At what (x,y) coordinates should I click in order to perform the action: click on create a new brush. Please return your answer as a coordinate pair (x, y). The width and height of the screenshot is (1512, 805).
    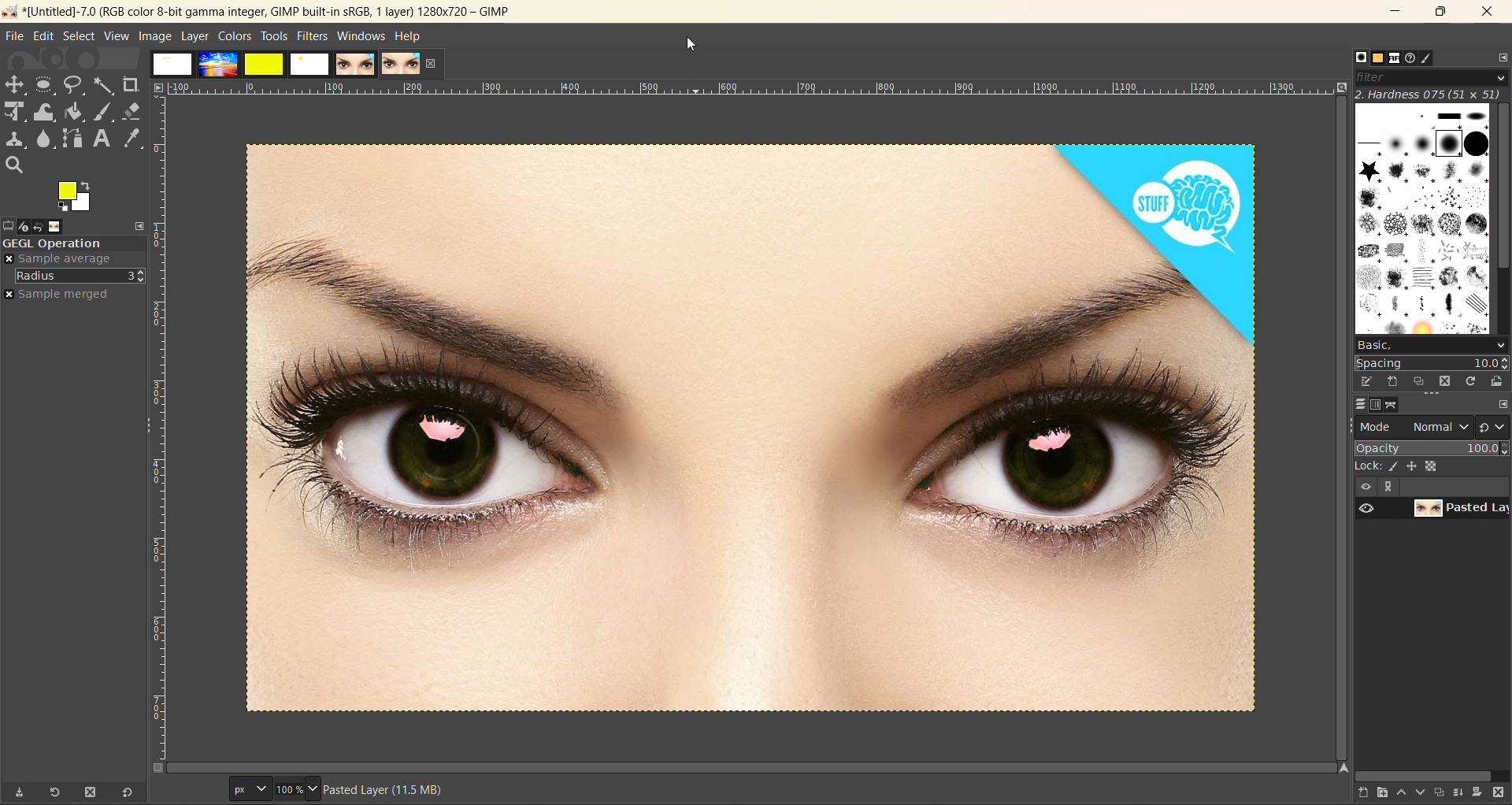
    Looking at the image, I should click on (1392, 381).